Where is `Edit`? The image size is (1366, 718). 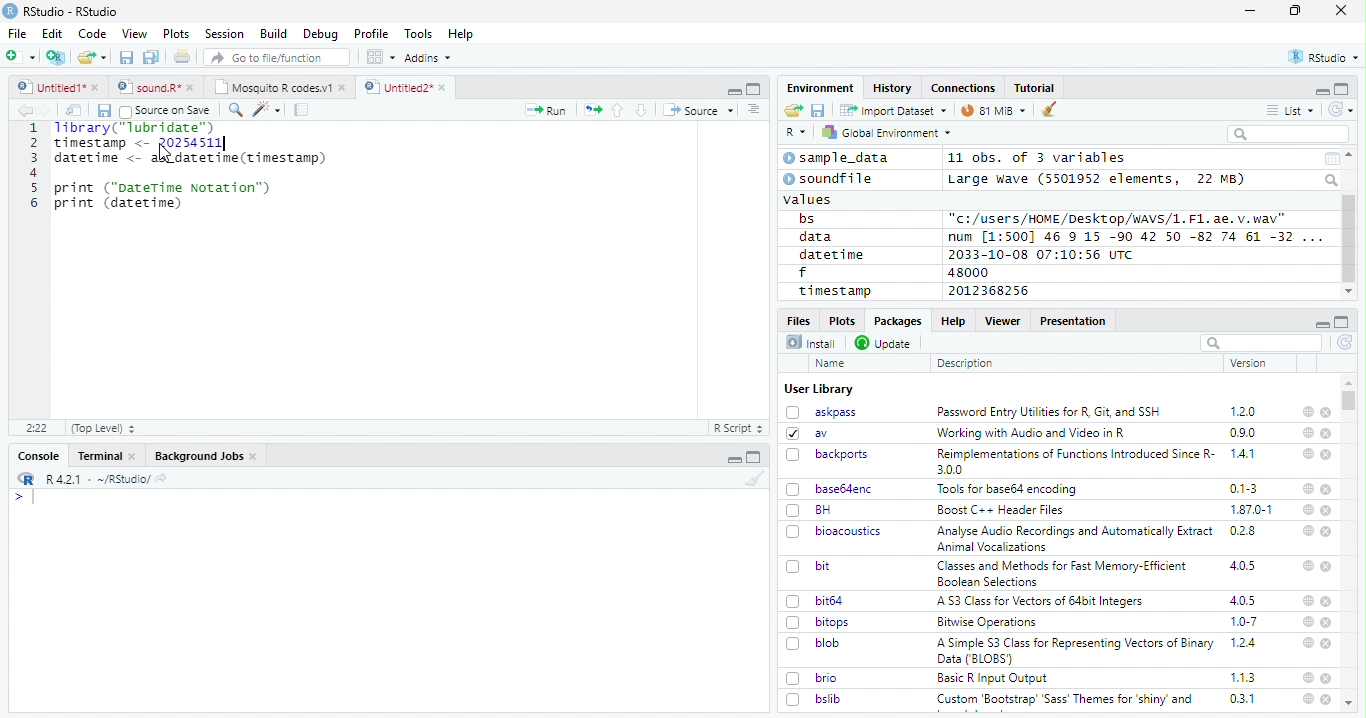
Edit is located at coordinates (52, 33).